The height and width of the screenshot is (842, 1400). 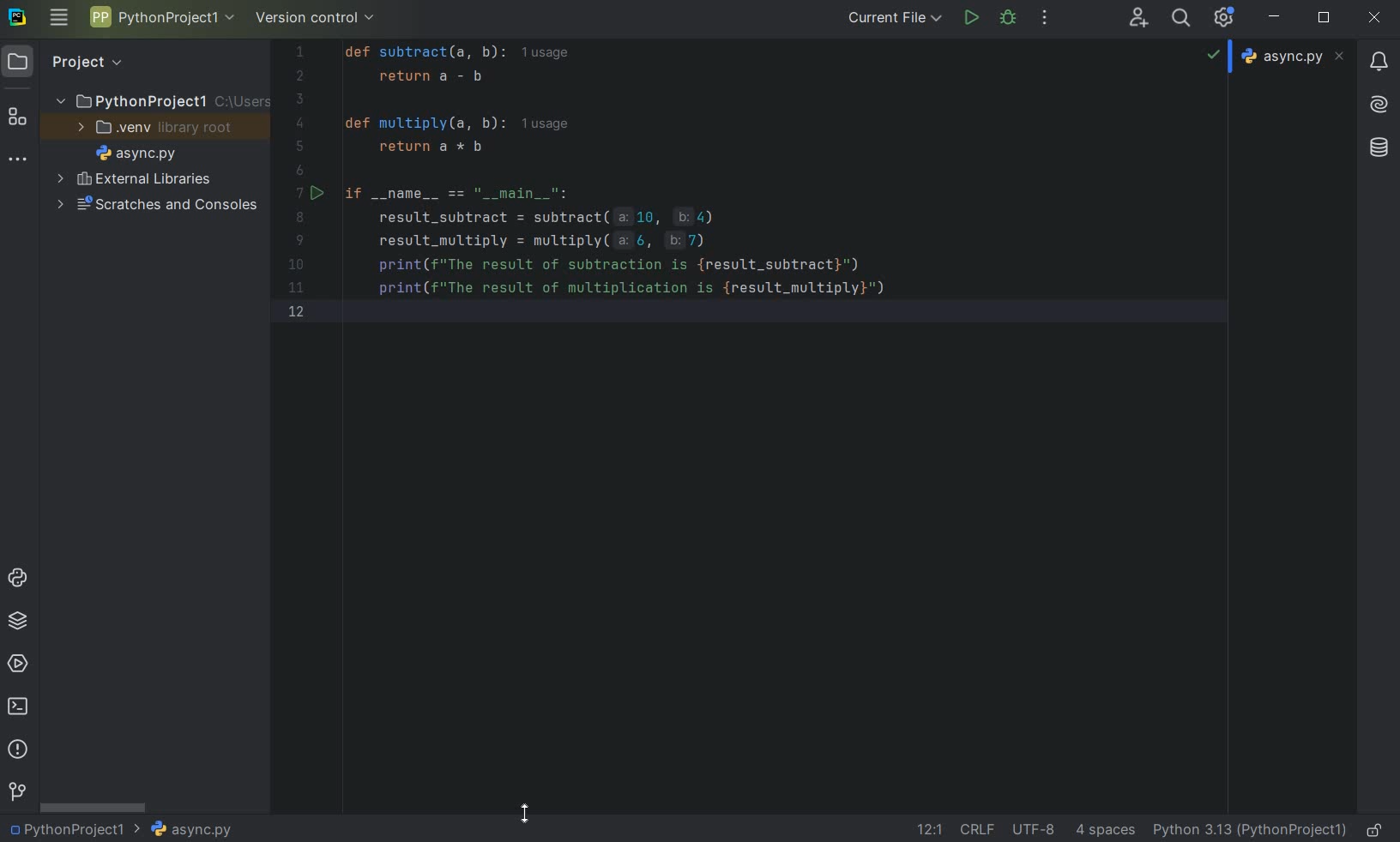 What do you see at coordinates (17, 663) in the screenshot?
I see `services` at bounding box center [17, 663].